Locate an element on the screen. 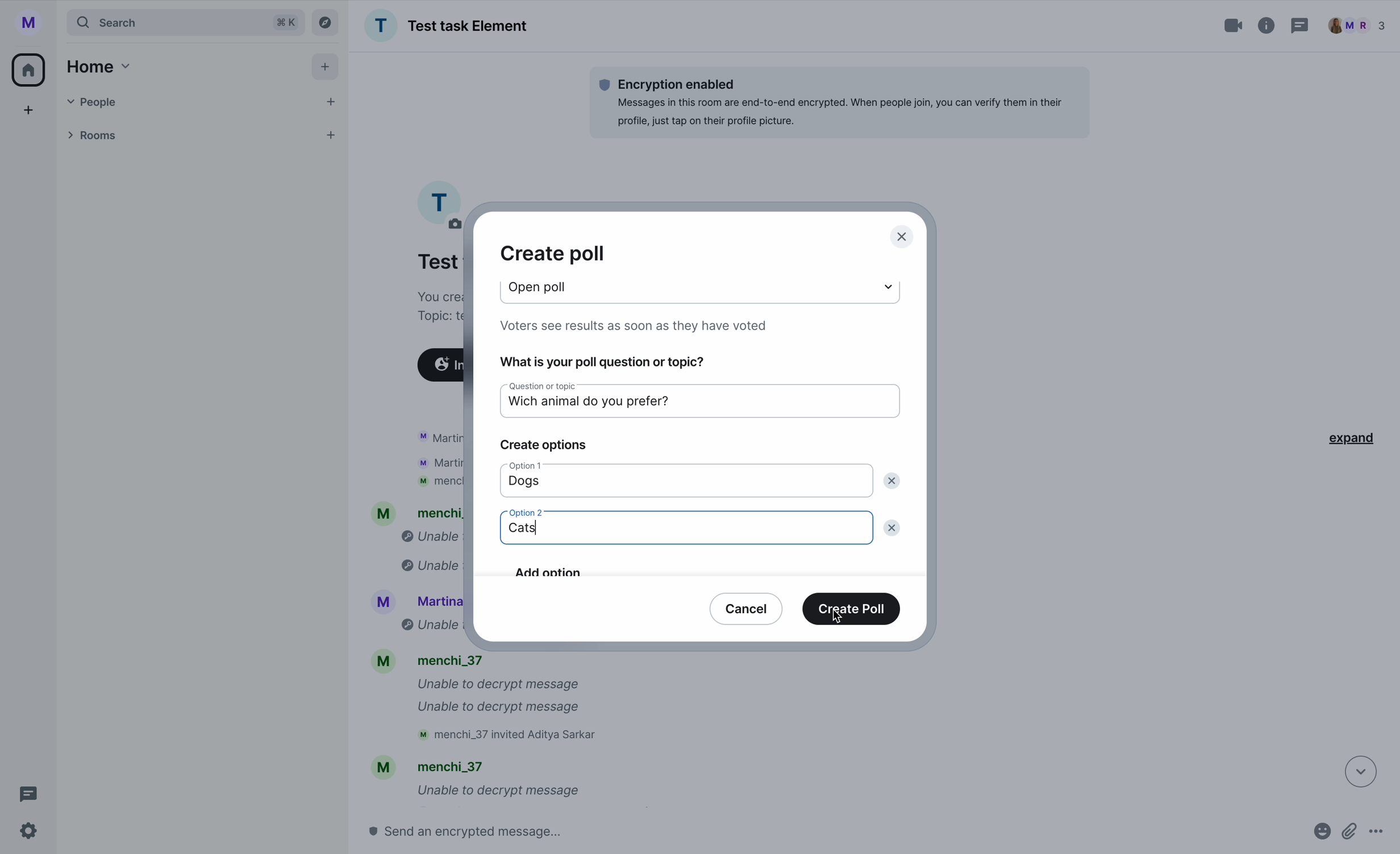 This screenshot has height=854, width=1400. create poll is located at coordinates (553, 253).